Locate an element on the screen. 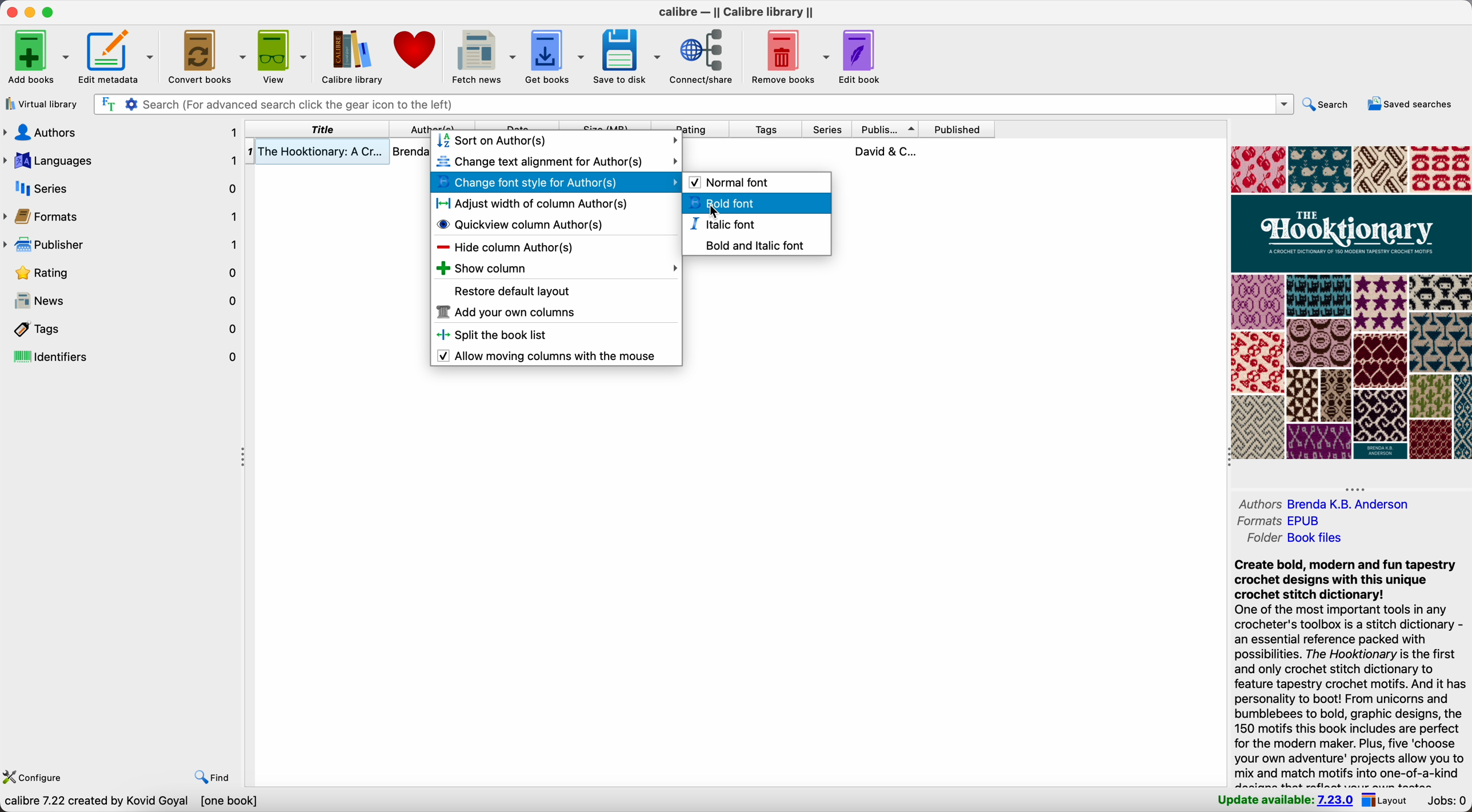  jobs: 0 is located at coordinates (1447, 801).